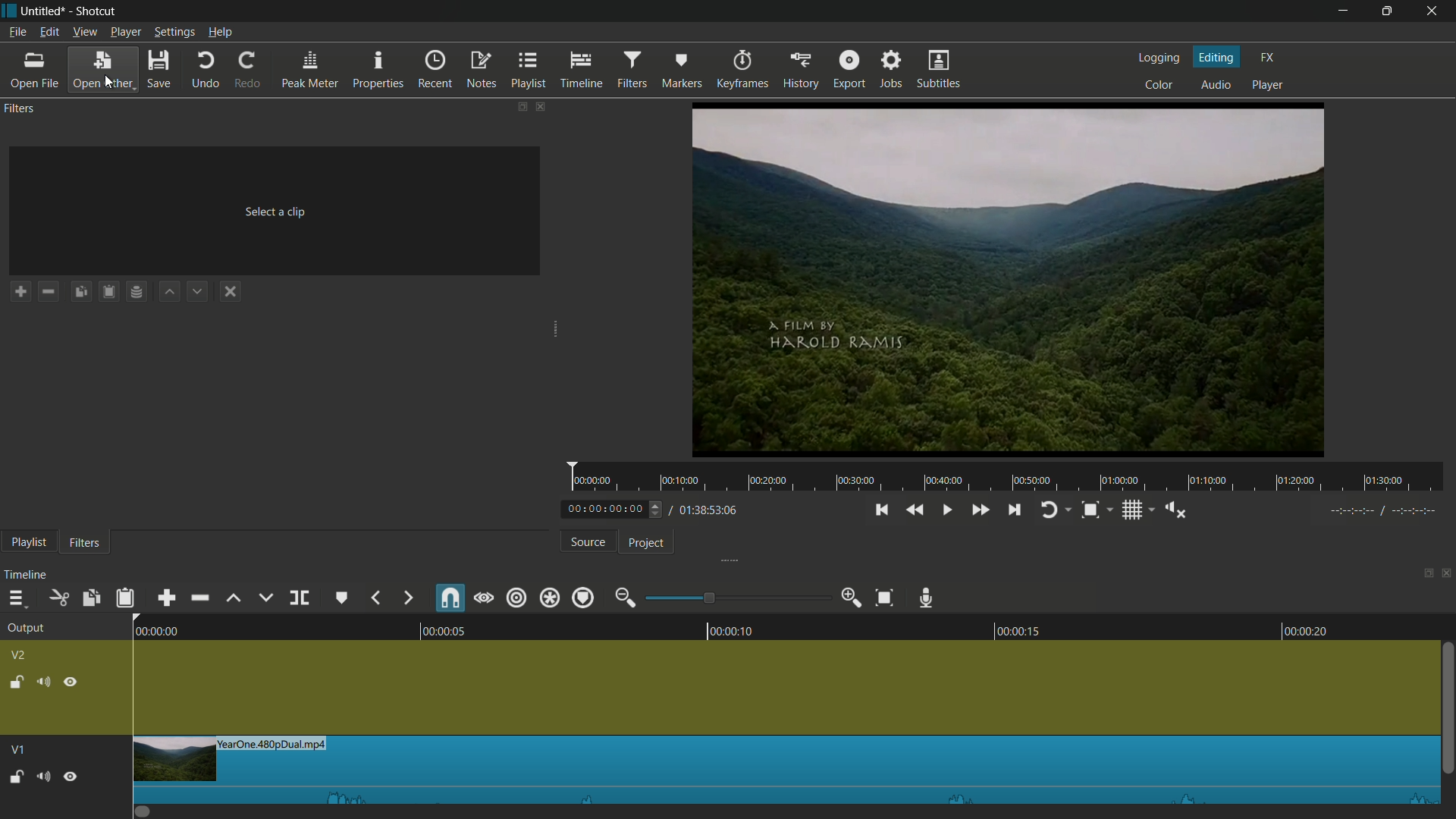 The width and height of the screenshot is (1456, 819). What do you see at coordinates (231, 291) in the screenshot?
I see `deselect the filter` at bounding box center [231, 291].